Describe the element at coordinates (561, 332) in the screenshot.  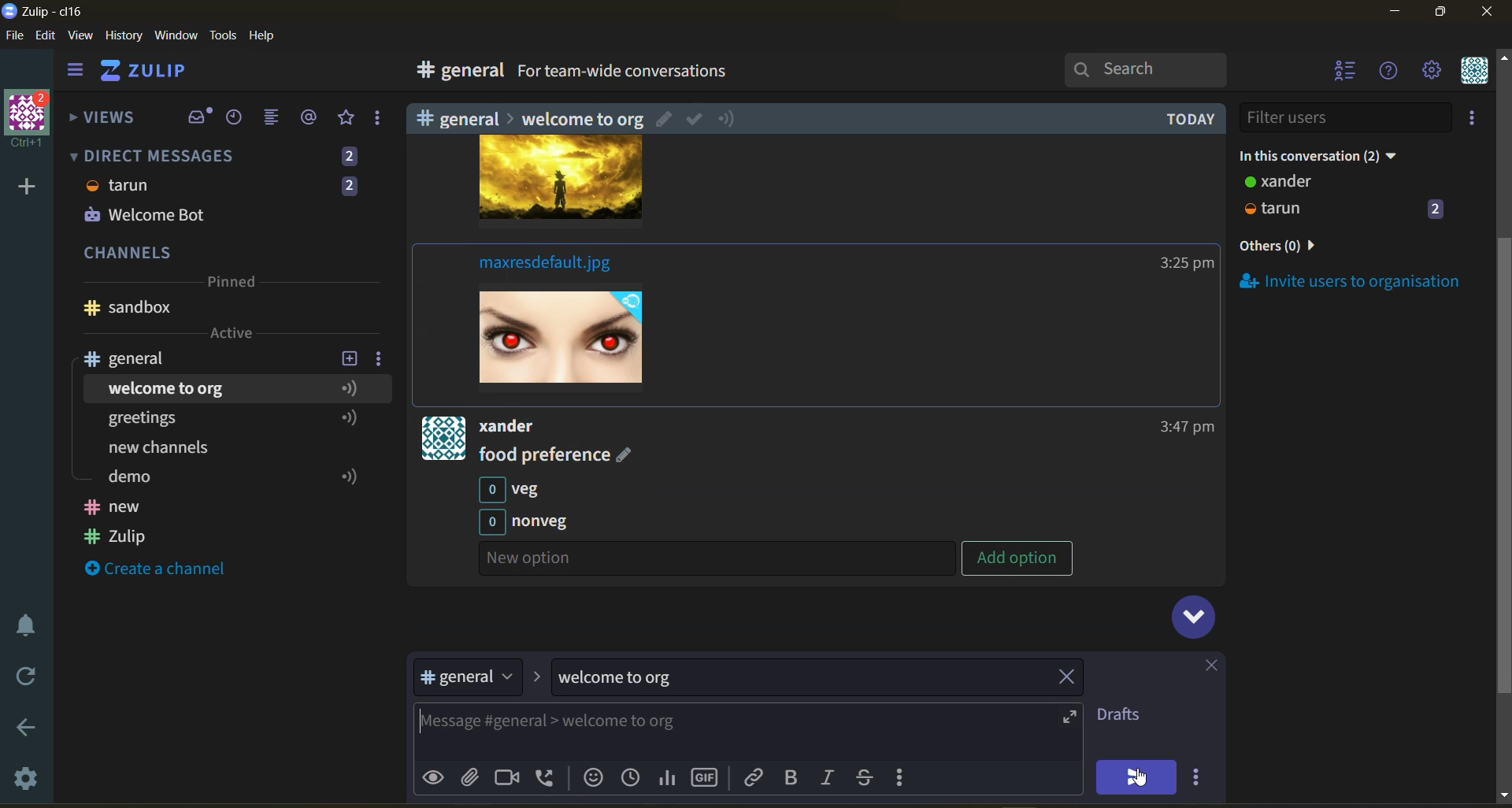
I see `image` at that location.